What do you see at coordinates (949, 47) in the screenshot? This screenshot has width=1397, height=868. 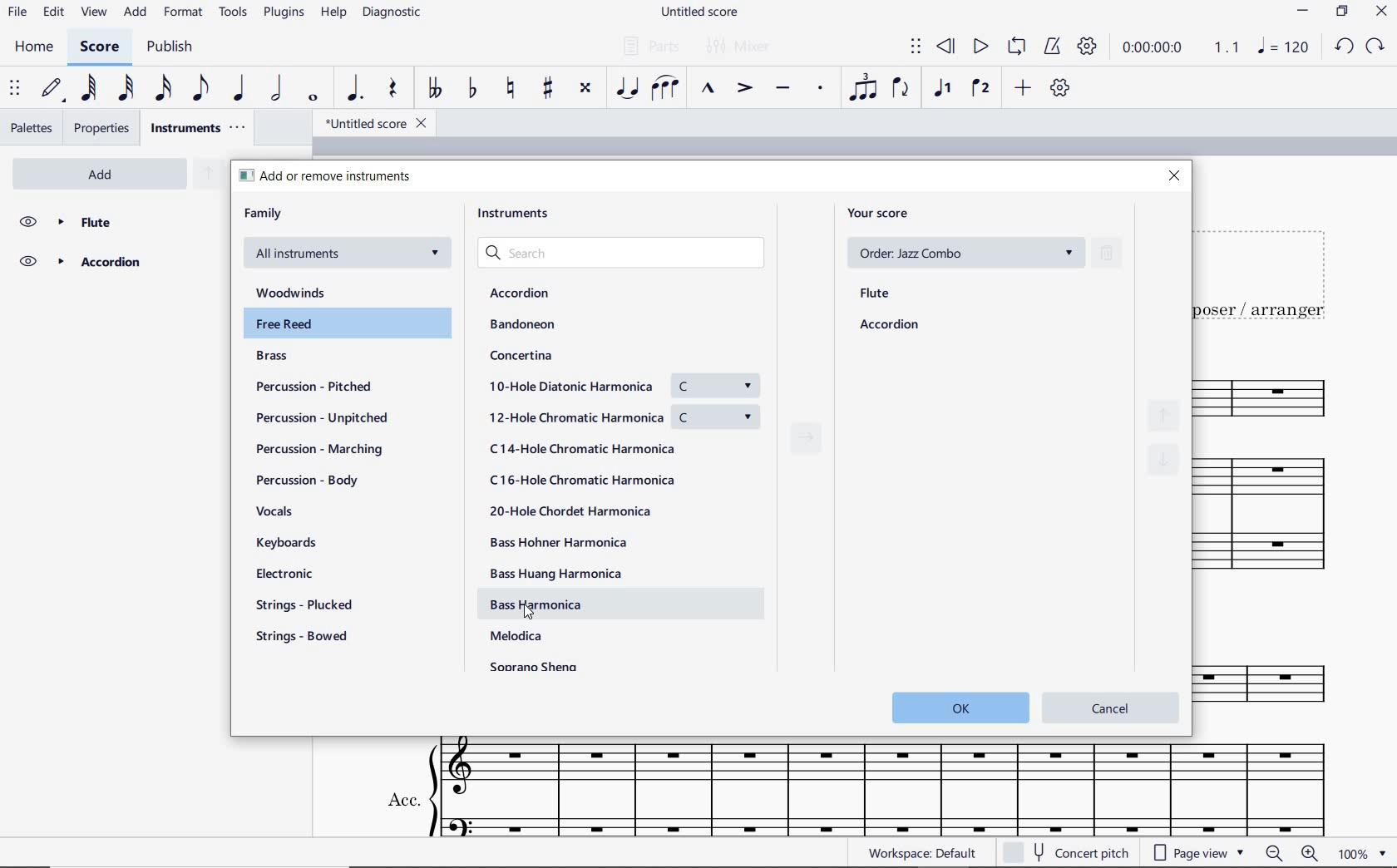 I see `rewind` at bounding box center [949, 47].